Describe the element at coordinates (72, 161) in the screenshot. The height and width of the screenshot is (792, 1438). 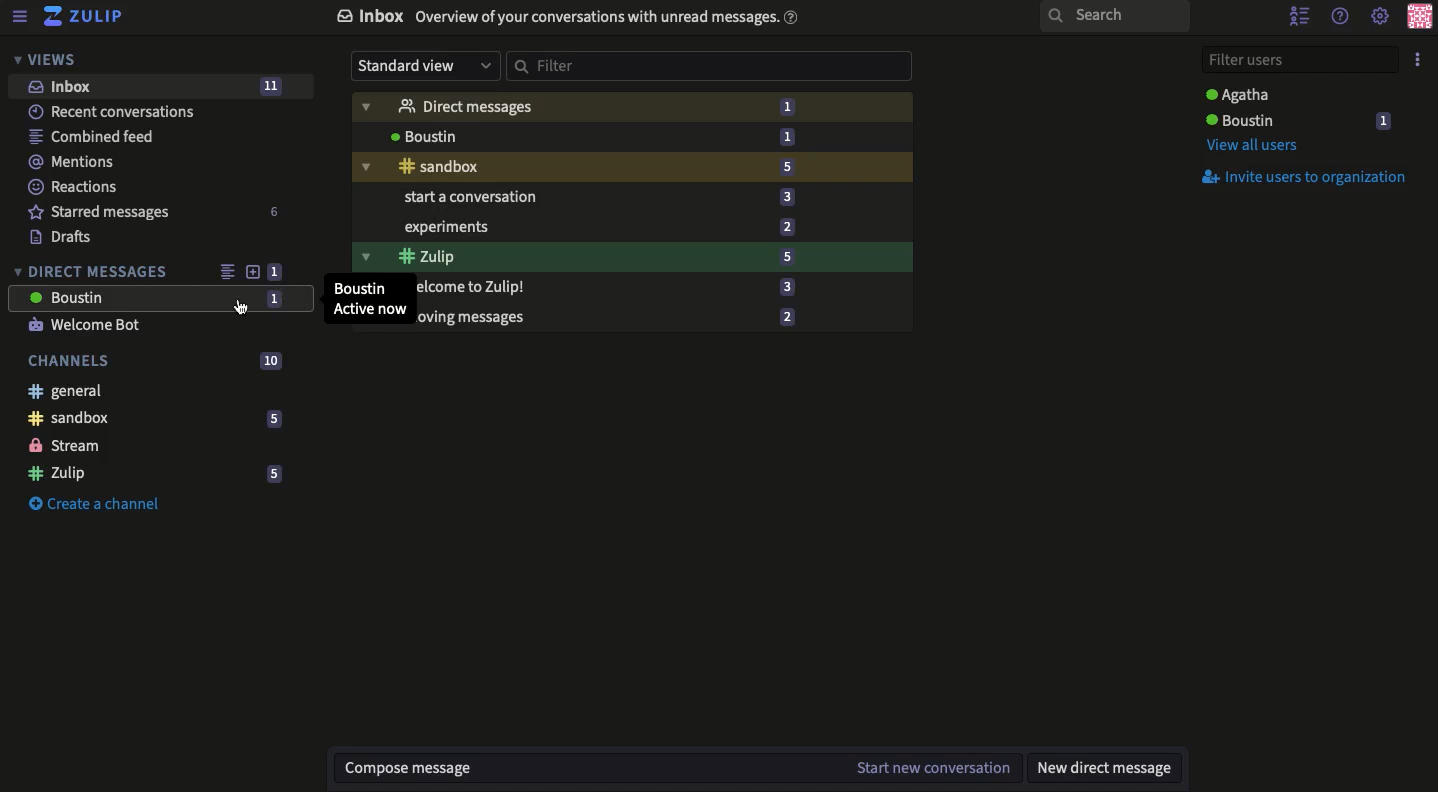
I see `Mentions` at that location.